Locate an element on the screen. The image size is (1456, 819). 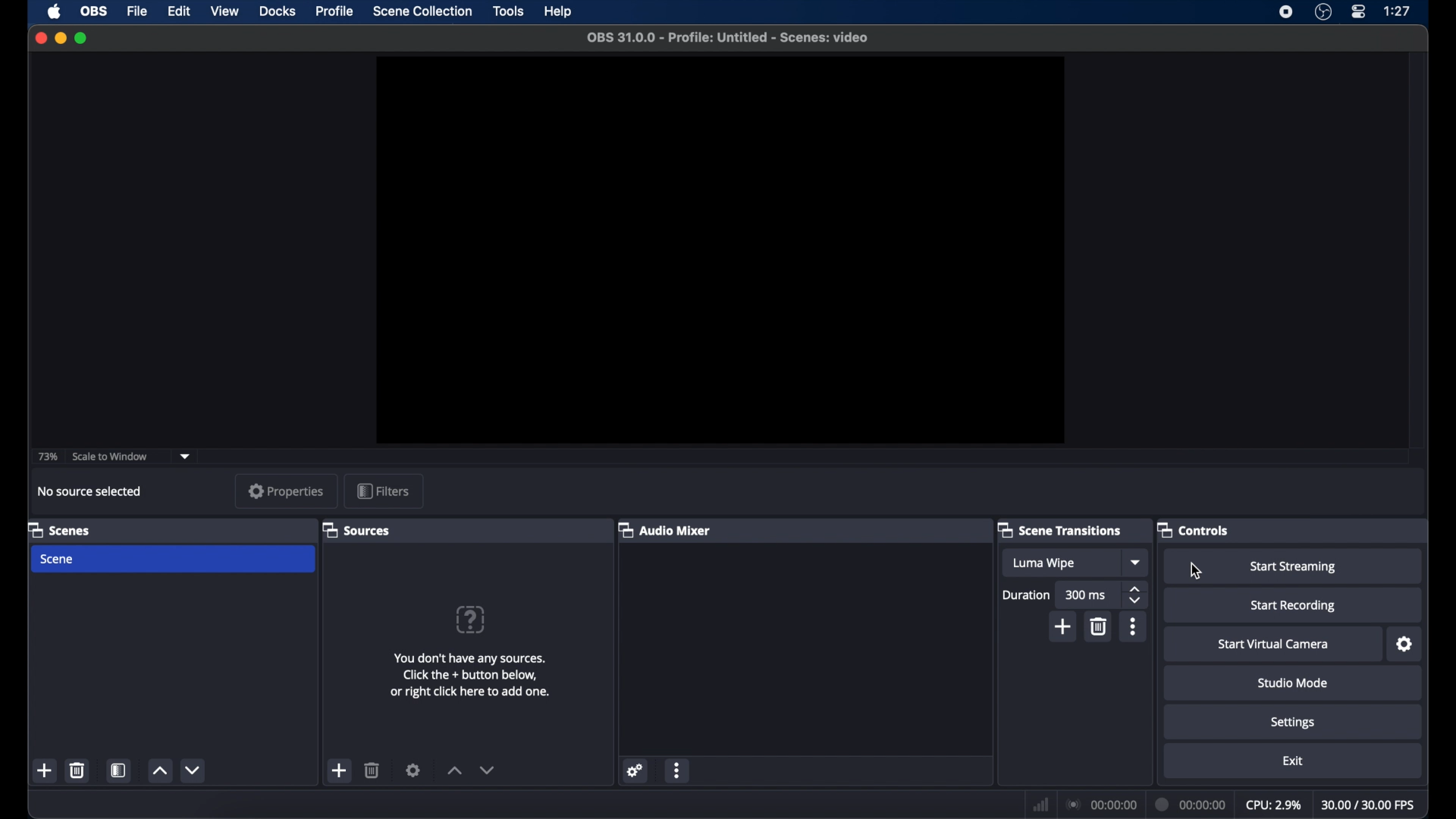
add is located at coordinates (45, 770).